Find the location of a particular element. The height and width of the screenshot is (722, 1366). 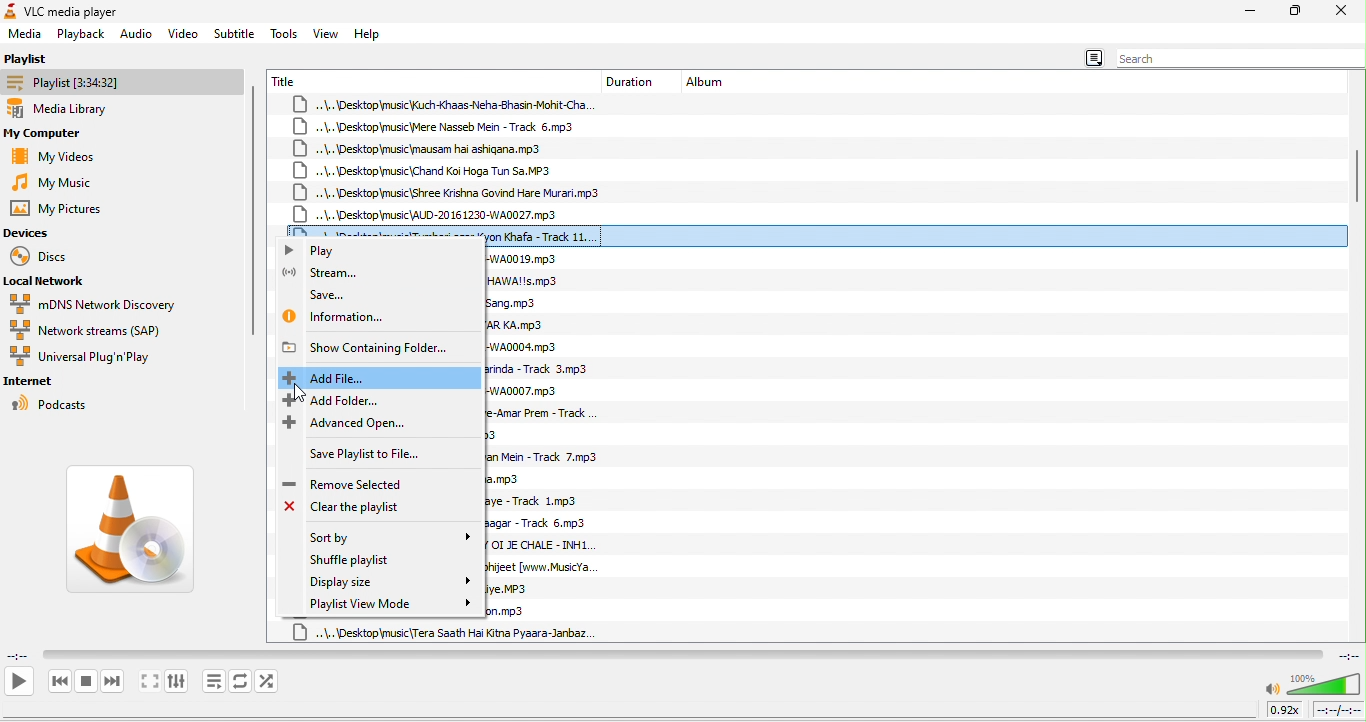

display size is located at coordinates (387, 581).